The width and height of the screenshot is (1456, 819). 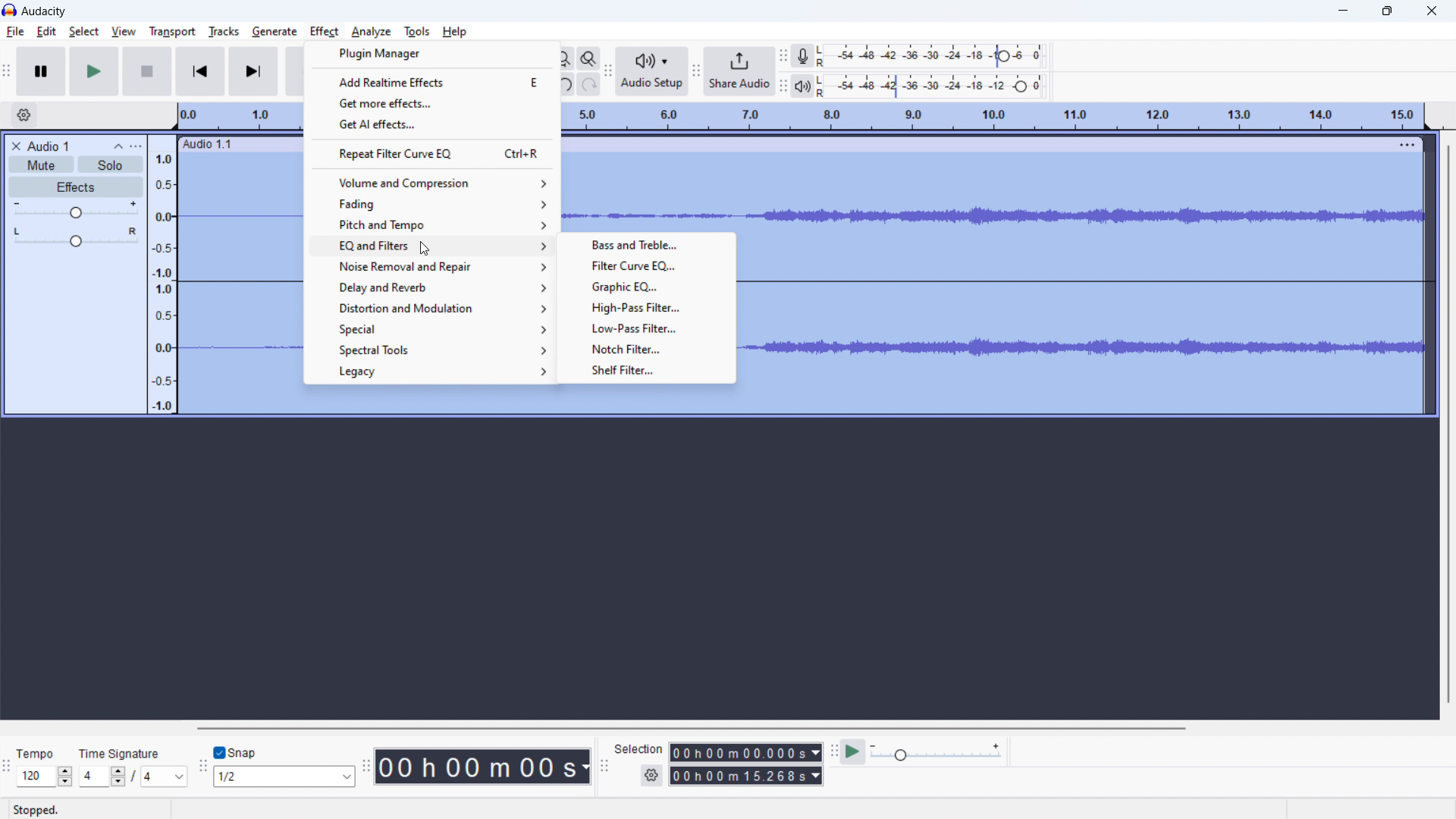 I want to click on play, so click(x=95, y=71).